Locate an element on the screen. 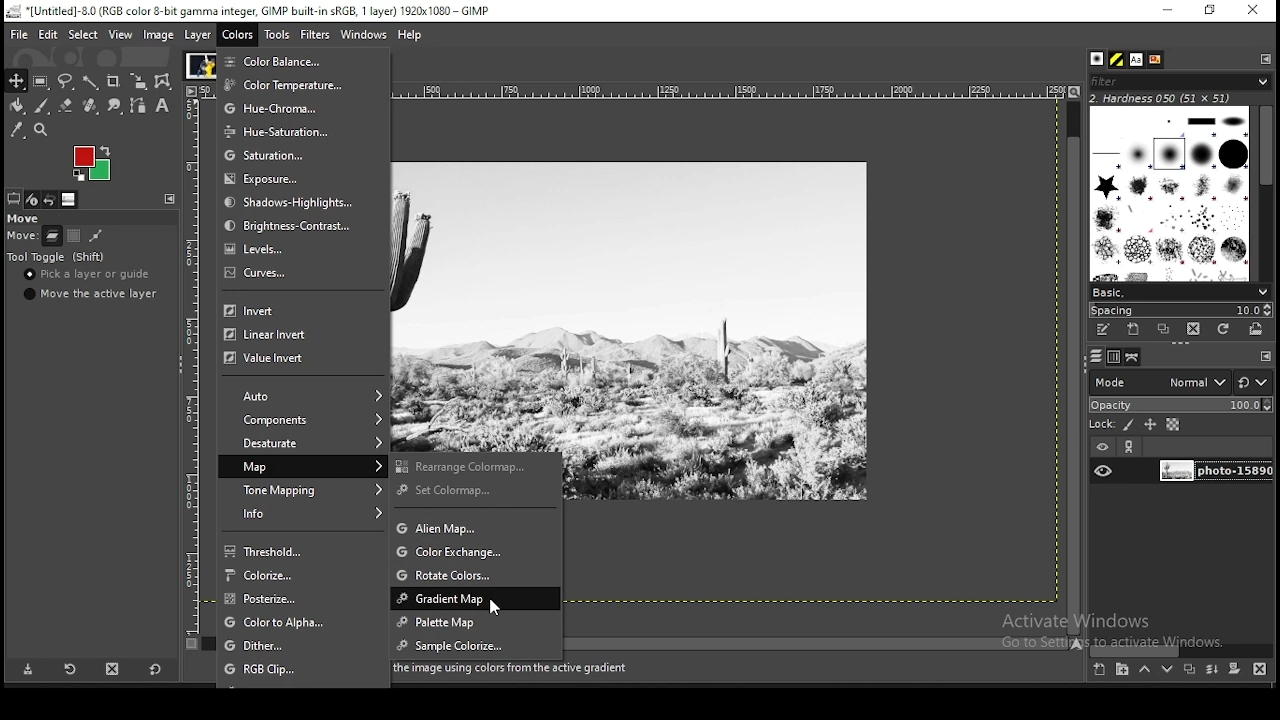  image is located at coordinates (92, 165).